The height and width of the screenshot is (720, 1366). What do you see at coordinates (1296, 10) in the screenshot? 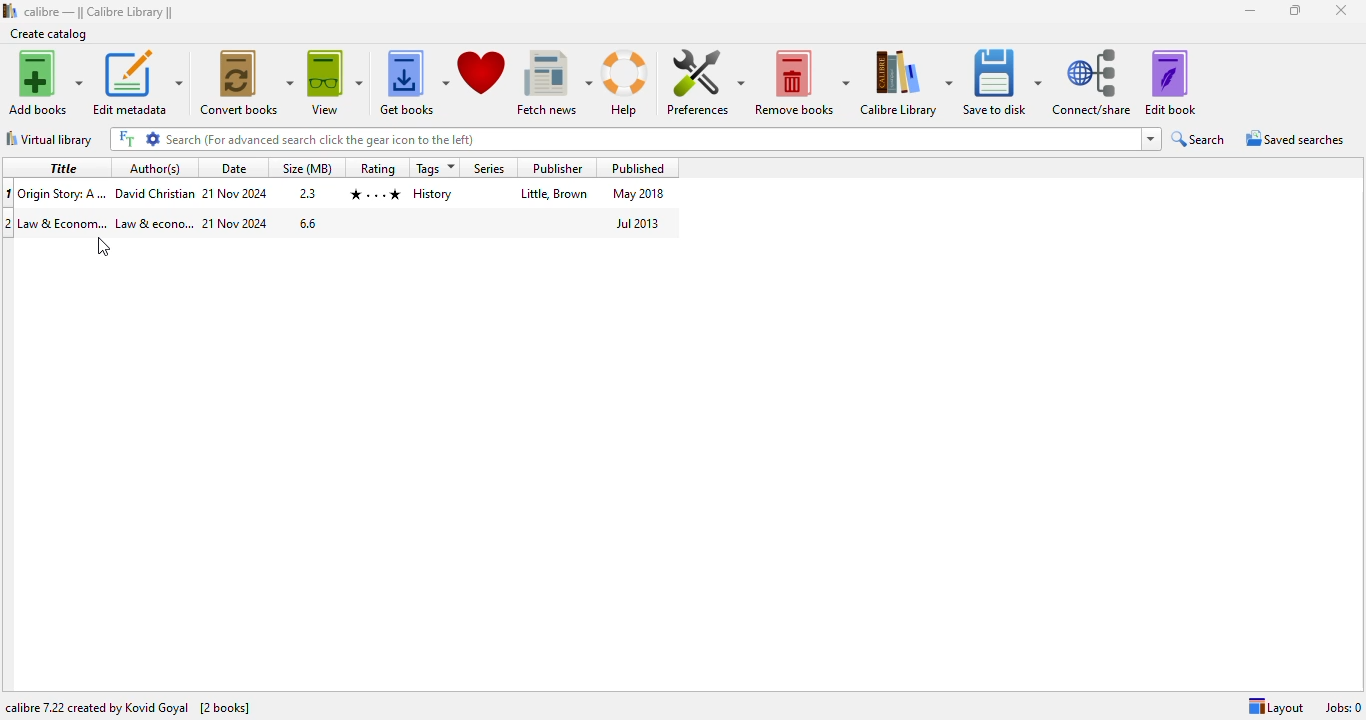
I see `maximize` at bounding box center [1296, 10].